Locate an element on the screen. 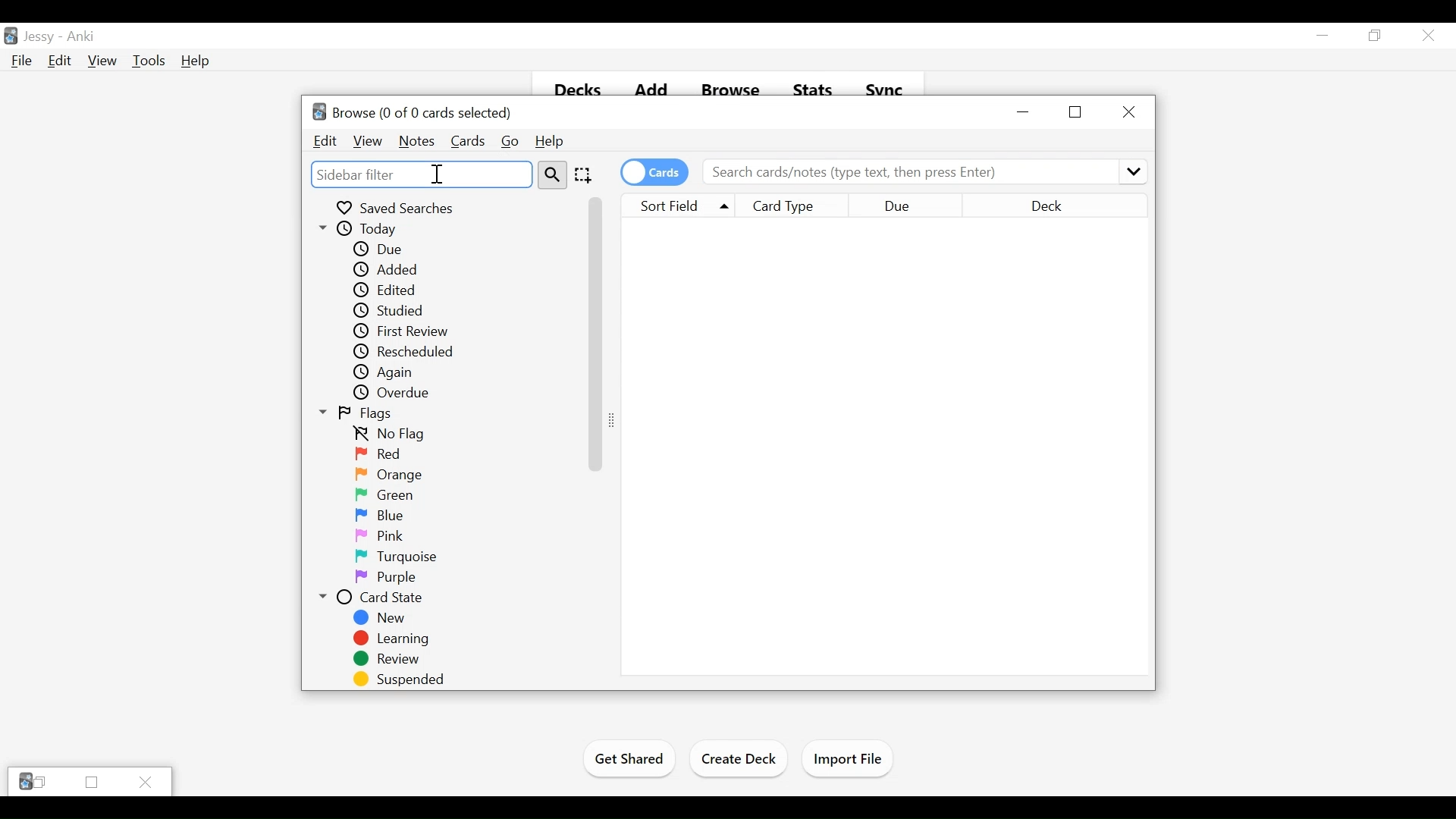 This screenshot has width=1456, height=819. Red is located at coordinates (378, 453).